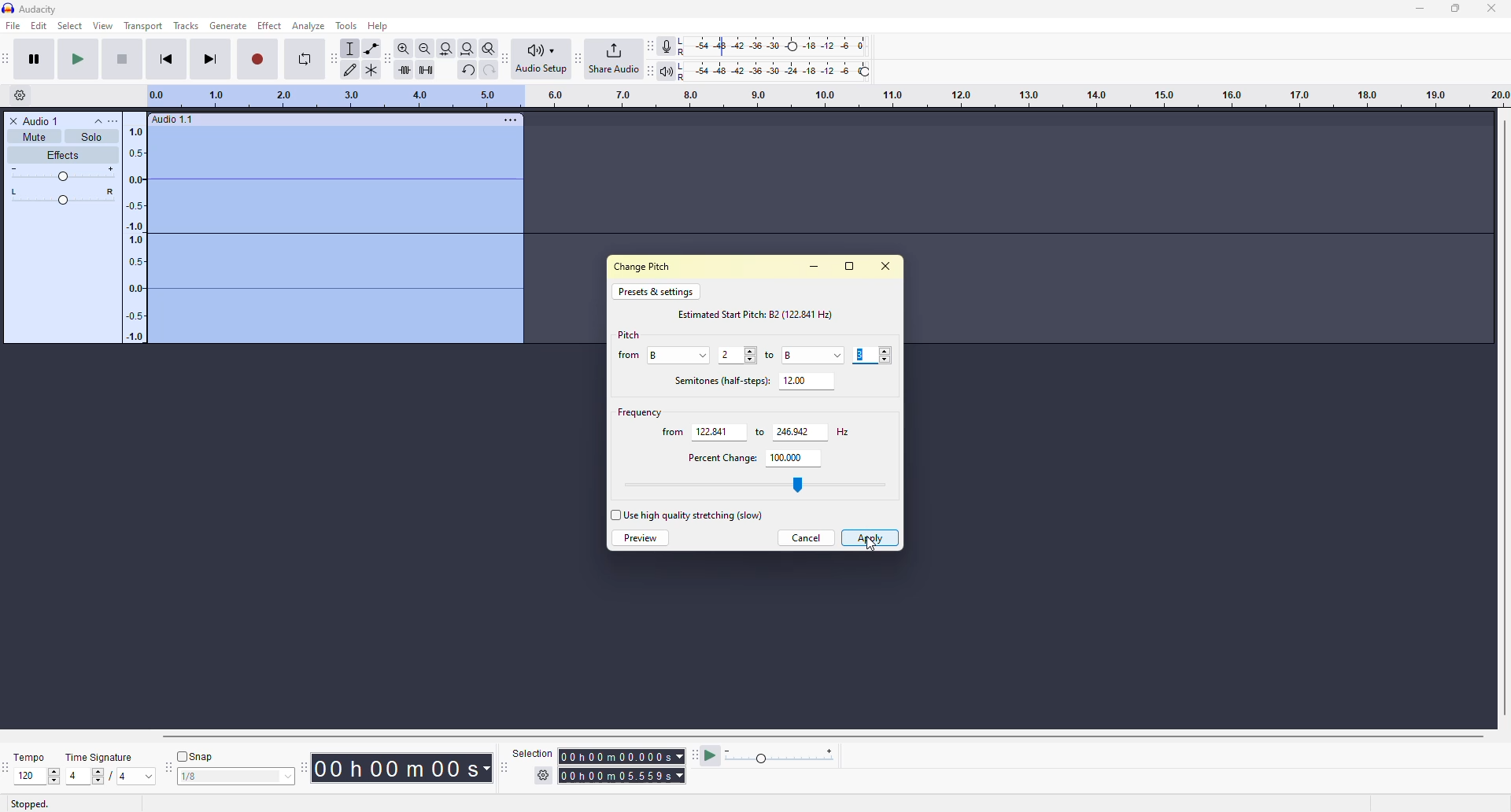 The height and width of the screenshot is (812, 1511). What do you see at coordinates (314, 237) in the screenshot?
I see `audio` at bounding box center [314, 237].